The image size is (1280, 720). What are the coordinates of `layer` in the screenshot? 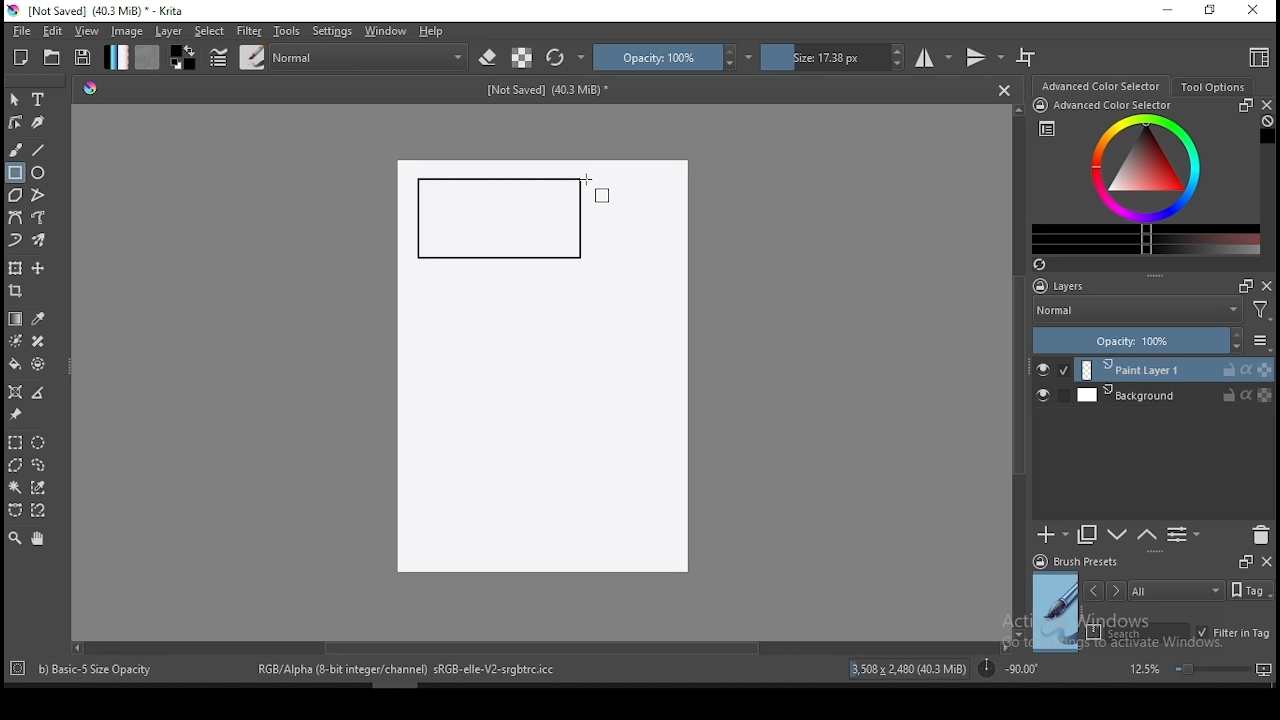 It's located at (170, 31).